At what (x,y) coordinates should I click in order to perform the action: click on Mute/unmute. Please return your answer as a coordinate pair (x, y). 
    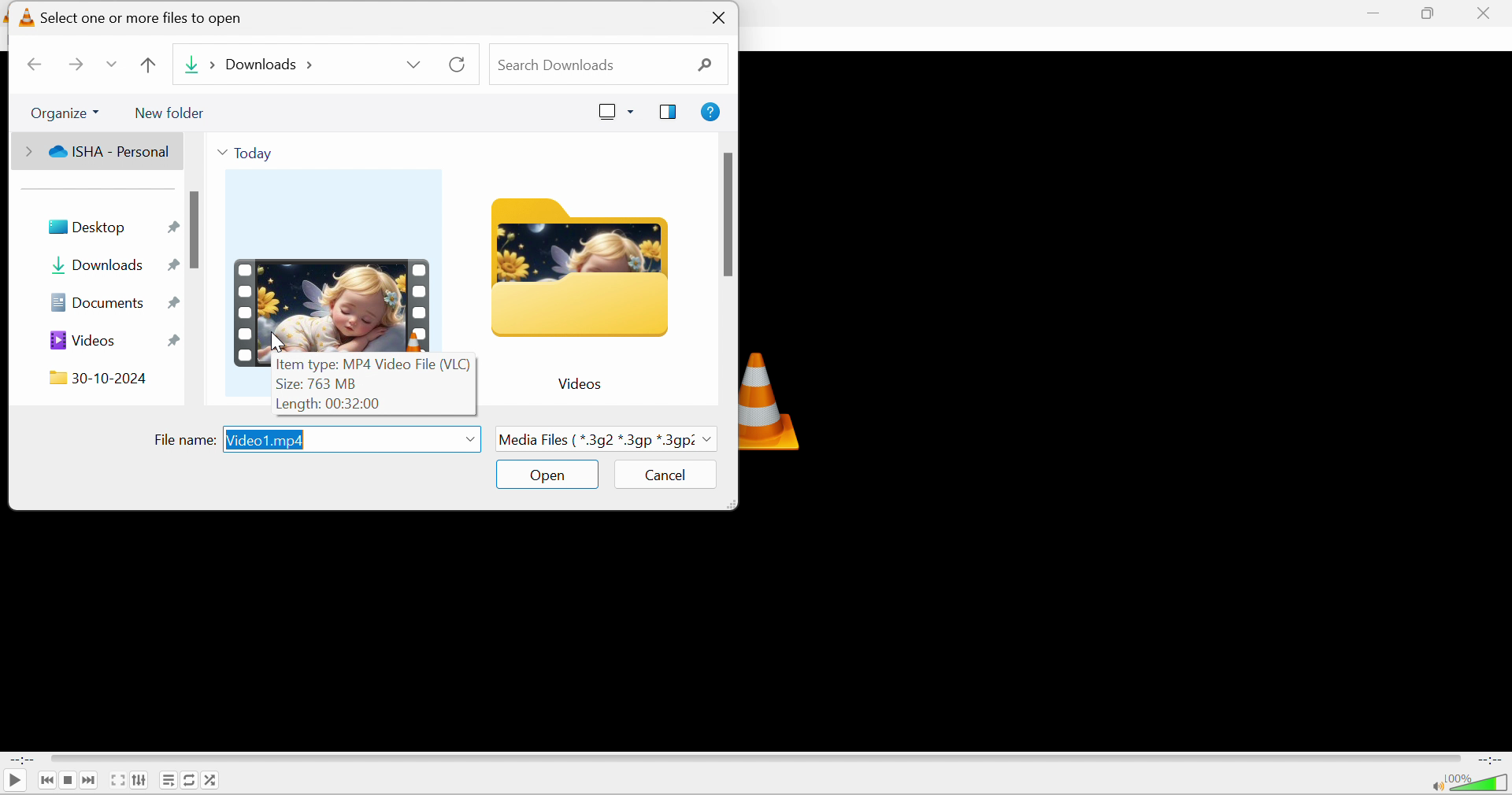
    Looking at the image, I should click on (1436, 786).